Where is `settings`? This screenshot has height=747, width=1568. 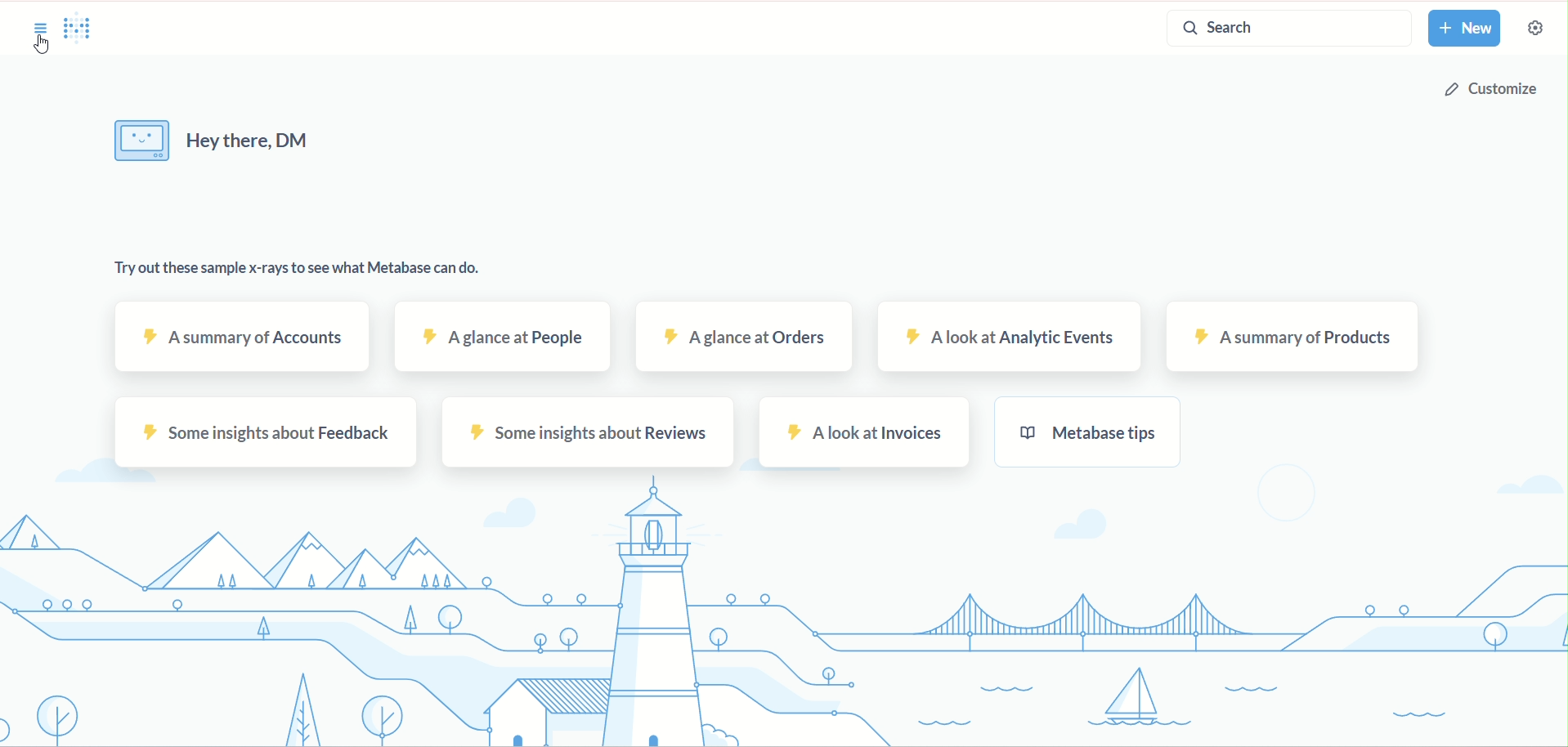 settings is located at coordinates (1534, 27).